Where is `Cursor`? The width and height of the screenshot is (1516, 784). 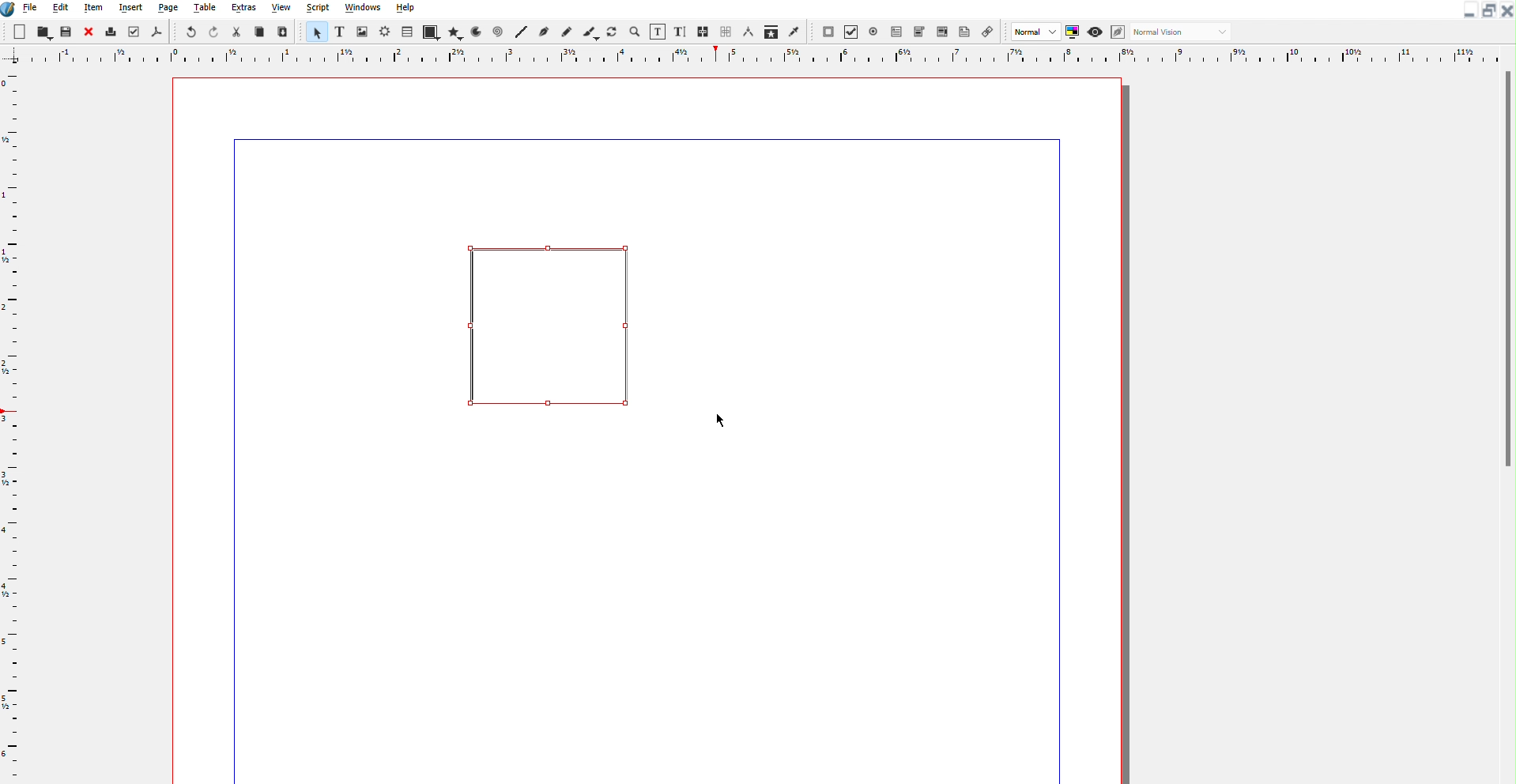 Cursor is located at coordinates (724, 420).